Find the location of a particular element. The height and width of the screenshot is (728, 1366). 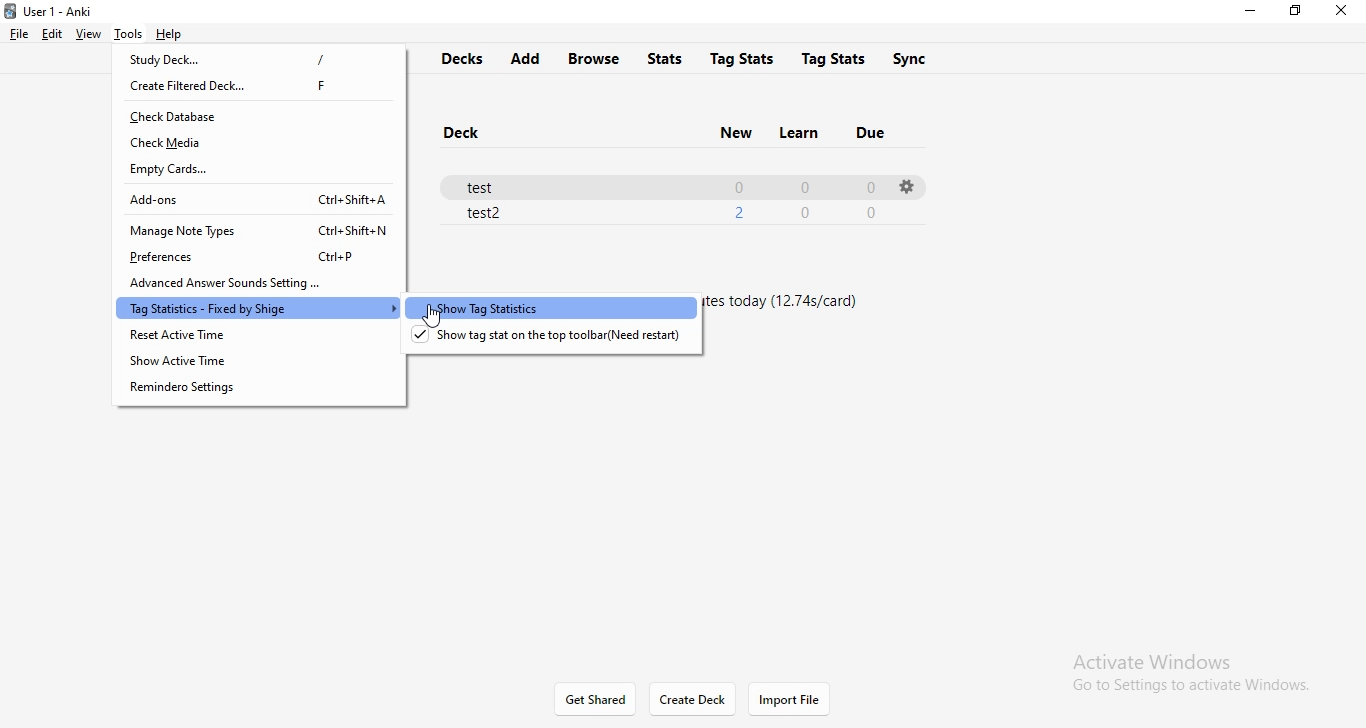

edit is located at coordinates (53, 33).